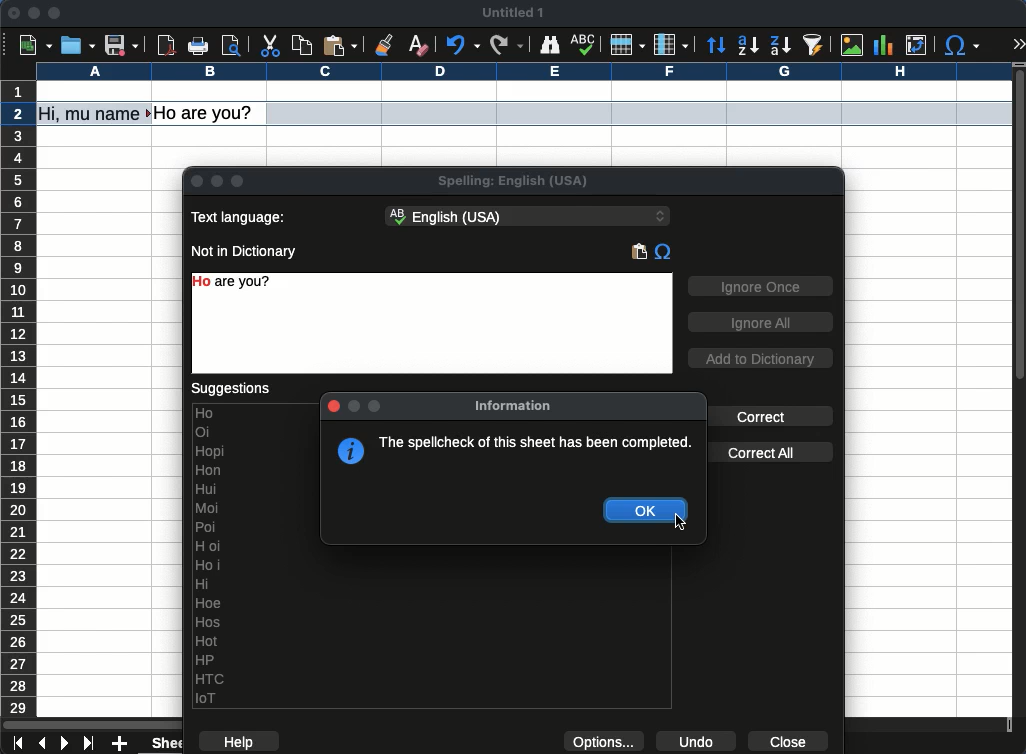  What do you see at coordinates (94, 114) in the screenshot?
I see `Hi, my name` at bounding box center [94, 114].